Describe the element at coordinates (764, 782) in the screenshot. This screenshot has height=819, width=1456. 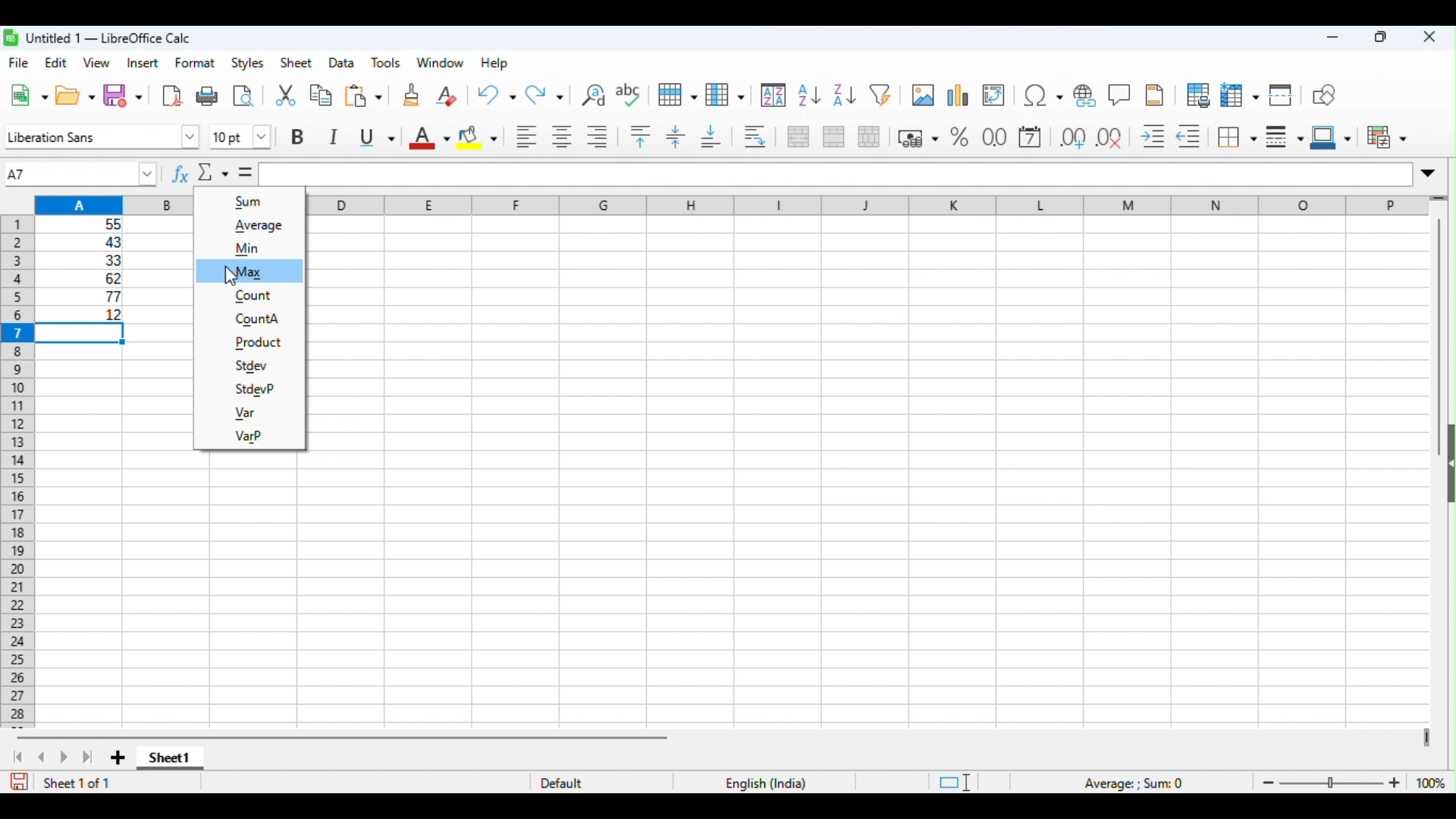
I see `language` at that location.